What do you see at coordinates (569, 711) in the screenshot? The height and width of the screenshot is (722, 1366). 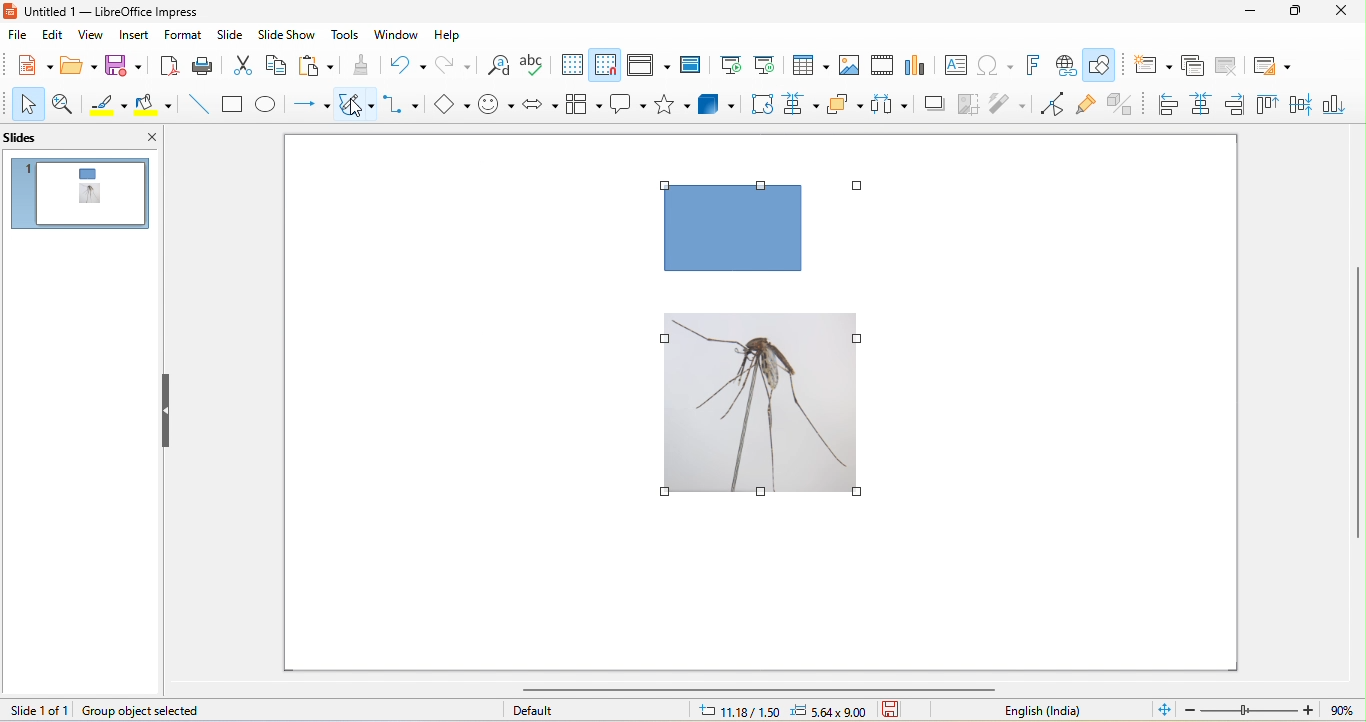 I see `default` at bounding box center [569, 711].